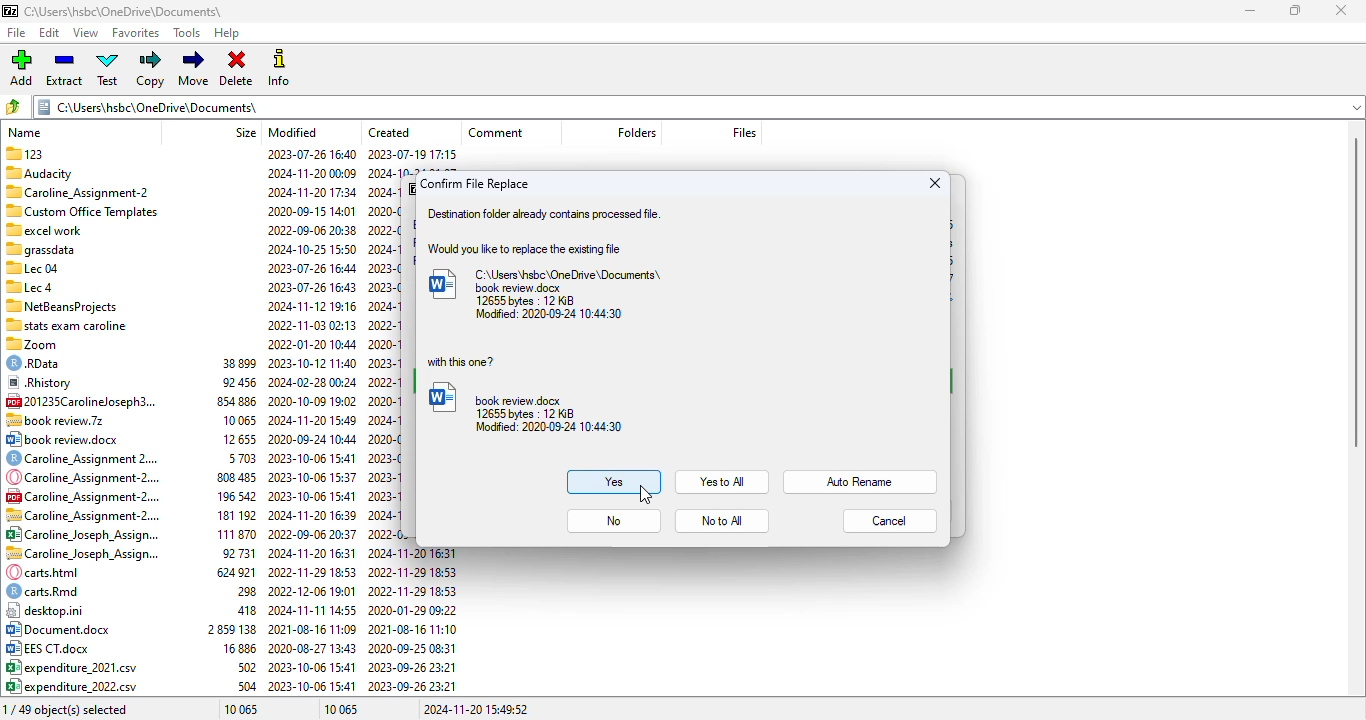  What do you see at coordinates (83, 400) in the screenshot?
I see `[4 201235Carolineloseph3.` at bounding box center [83, 400].